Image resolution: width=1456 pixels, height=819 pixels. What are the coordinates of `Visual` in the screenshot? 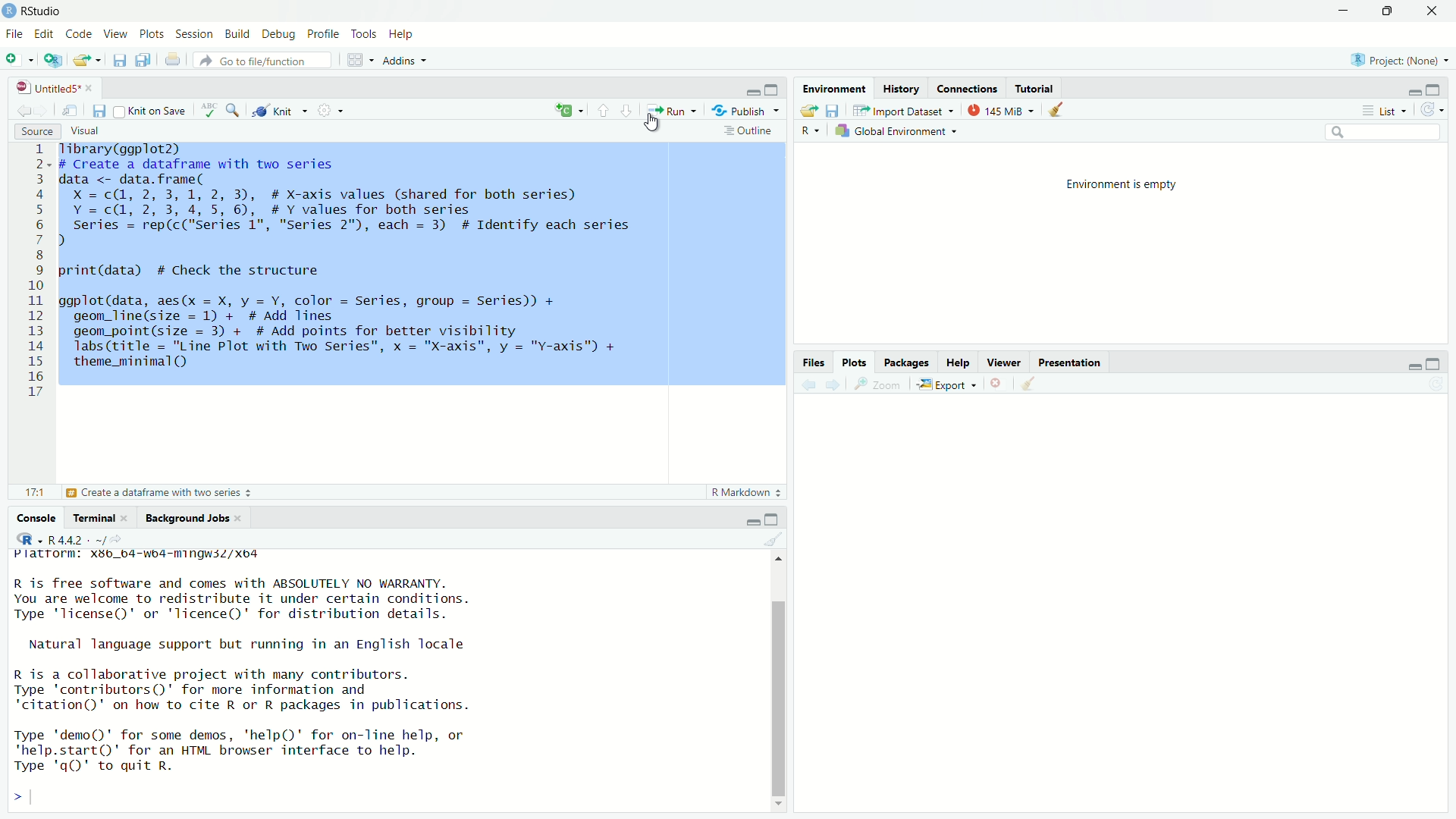 It's located at (90, 131).